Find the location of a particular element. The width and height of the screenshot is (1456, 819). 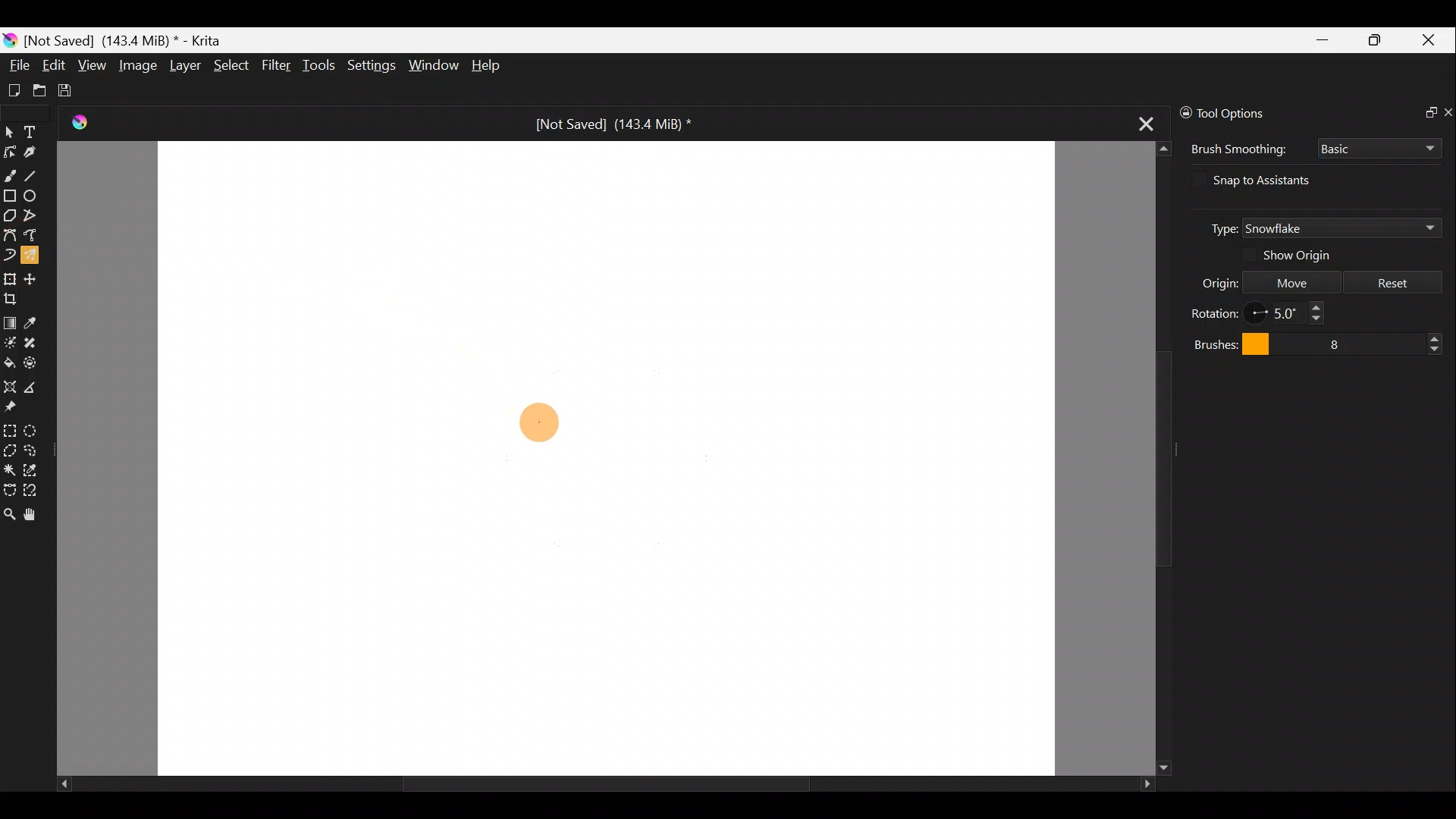

Rectangle is located at coordinates (9, 196).